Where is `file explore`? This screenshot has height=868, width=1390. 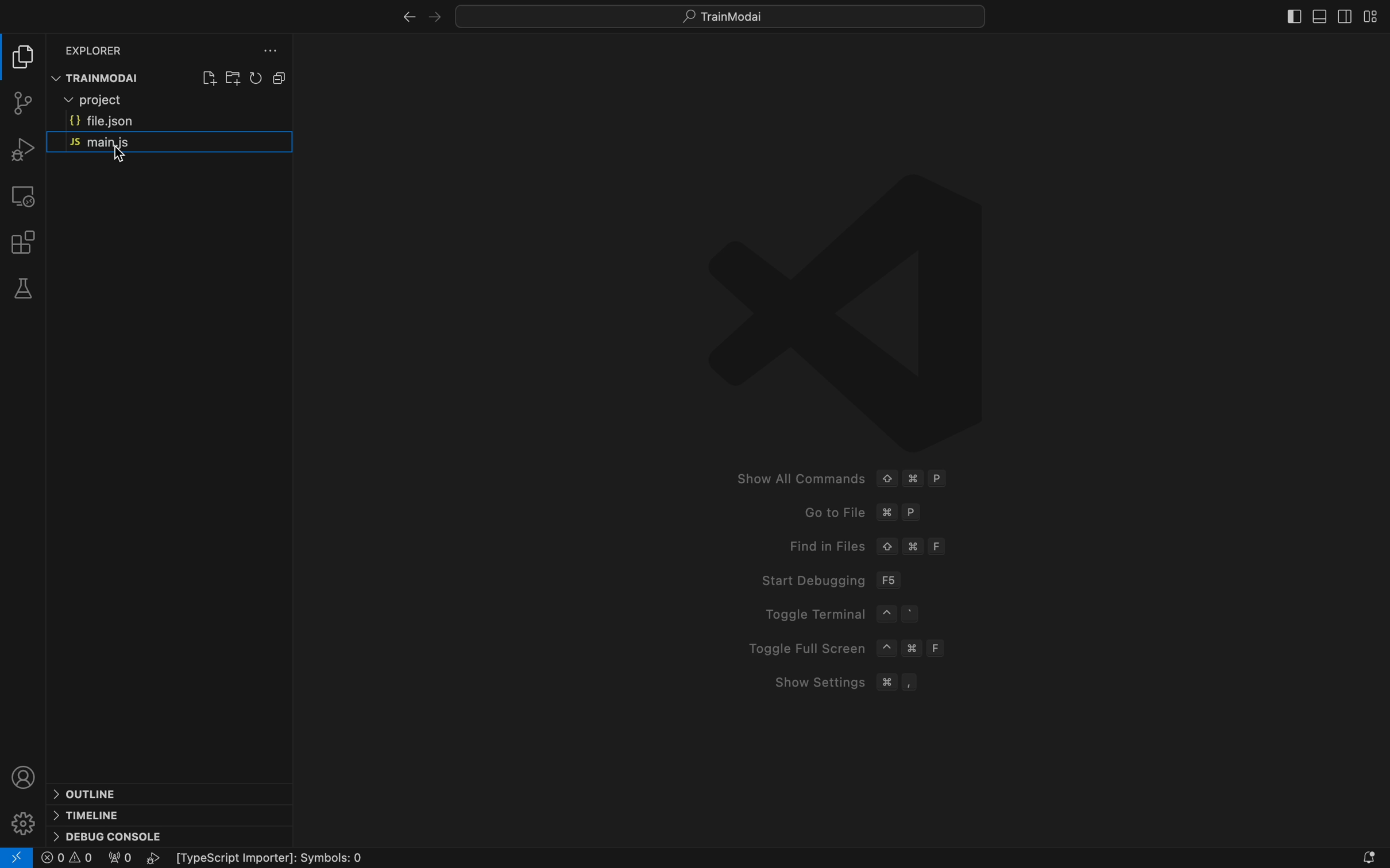
file explore is located at coordinates (25, 57).